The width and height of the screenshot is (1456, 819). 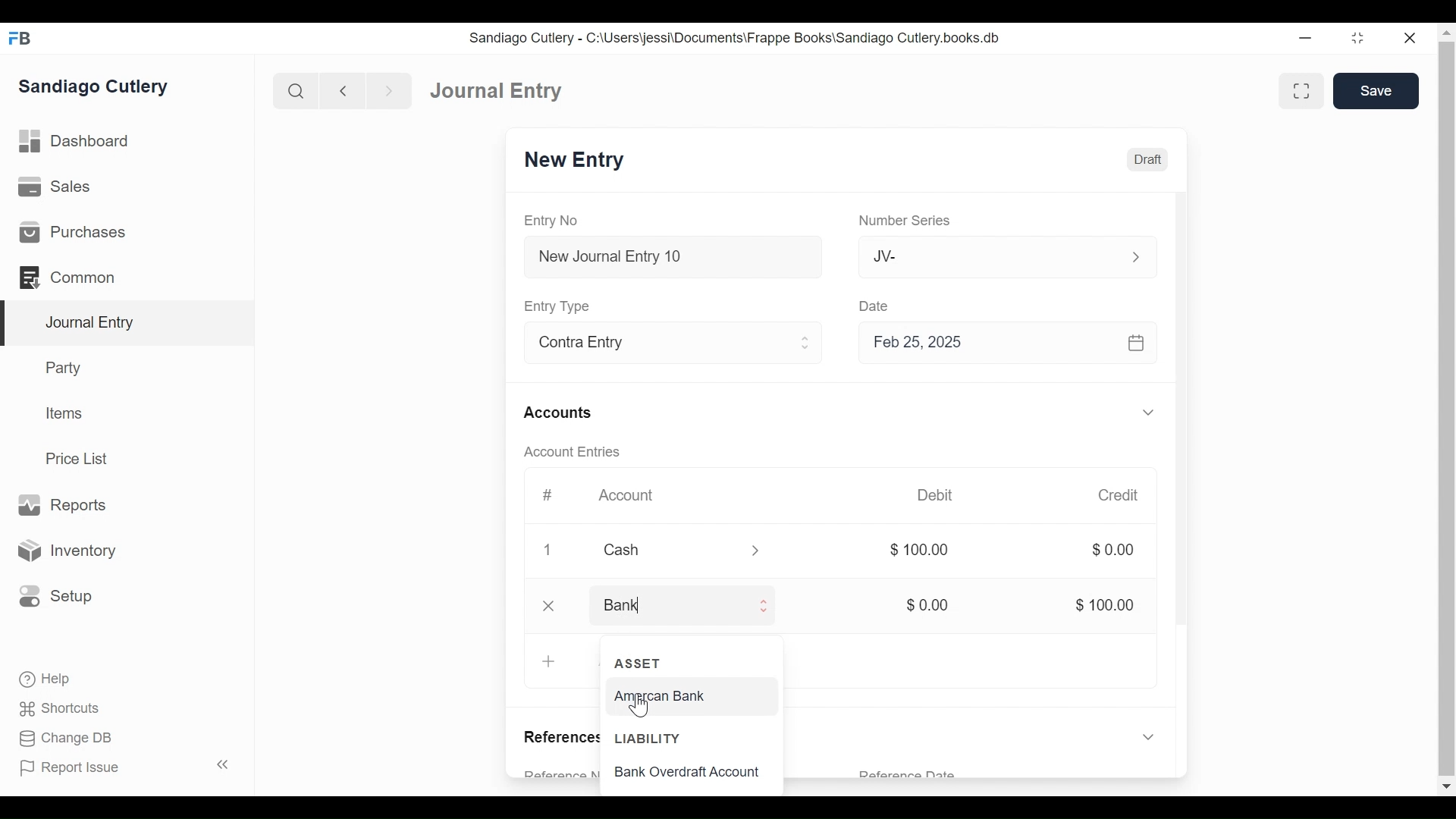 What do you see at coordinates (1145, 159) in the screenshot?
I see `Draft` at bounding box center [1145, 159].